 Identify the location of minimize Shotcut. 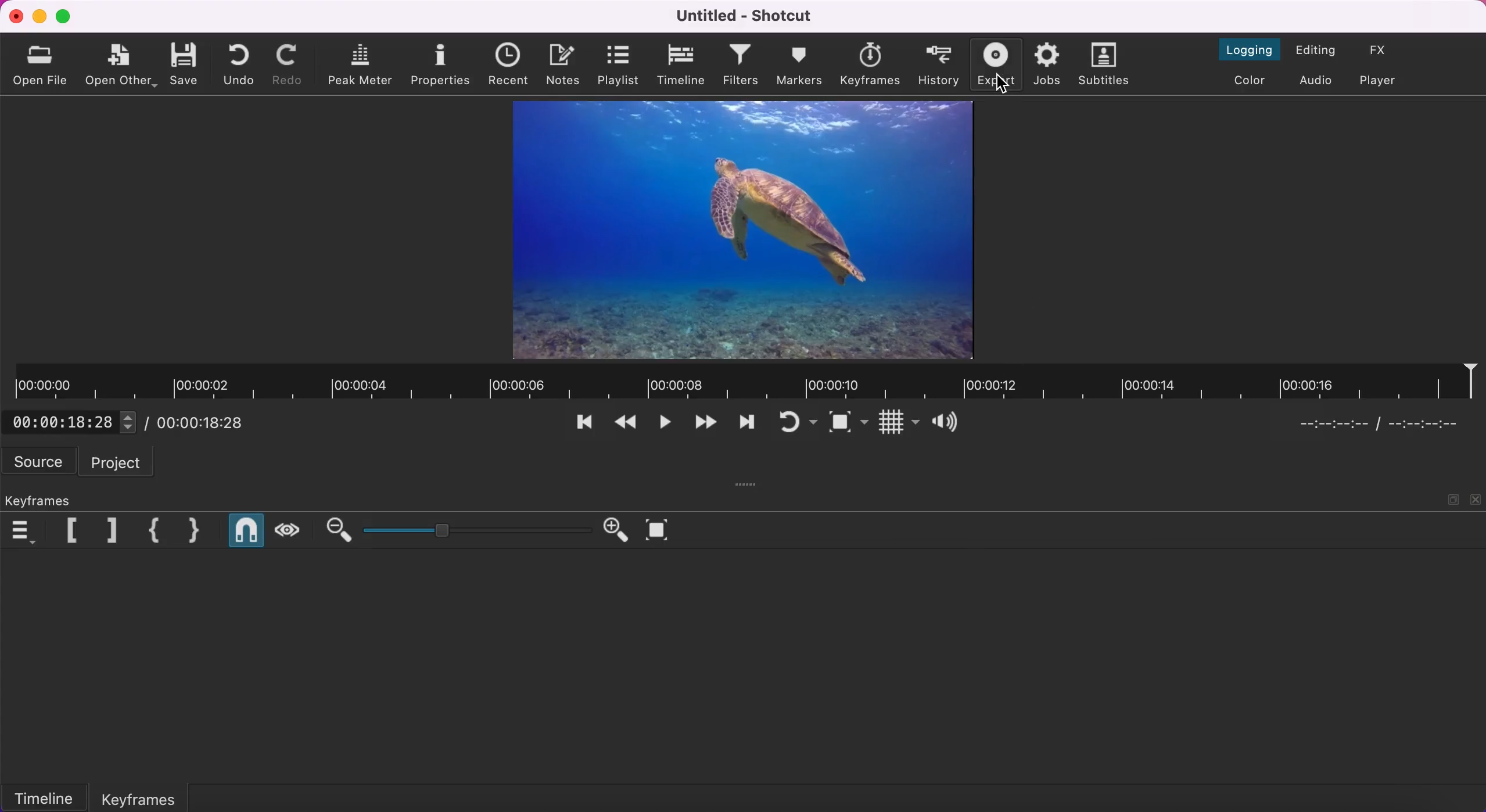
(39, 16).